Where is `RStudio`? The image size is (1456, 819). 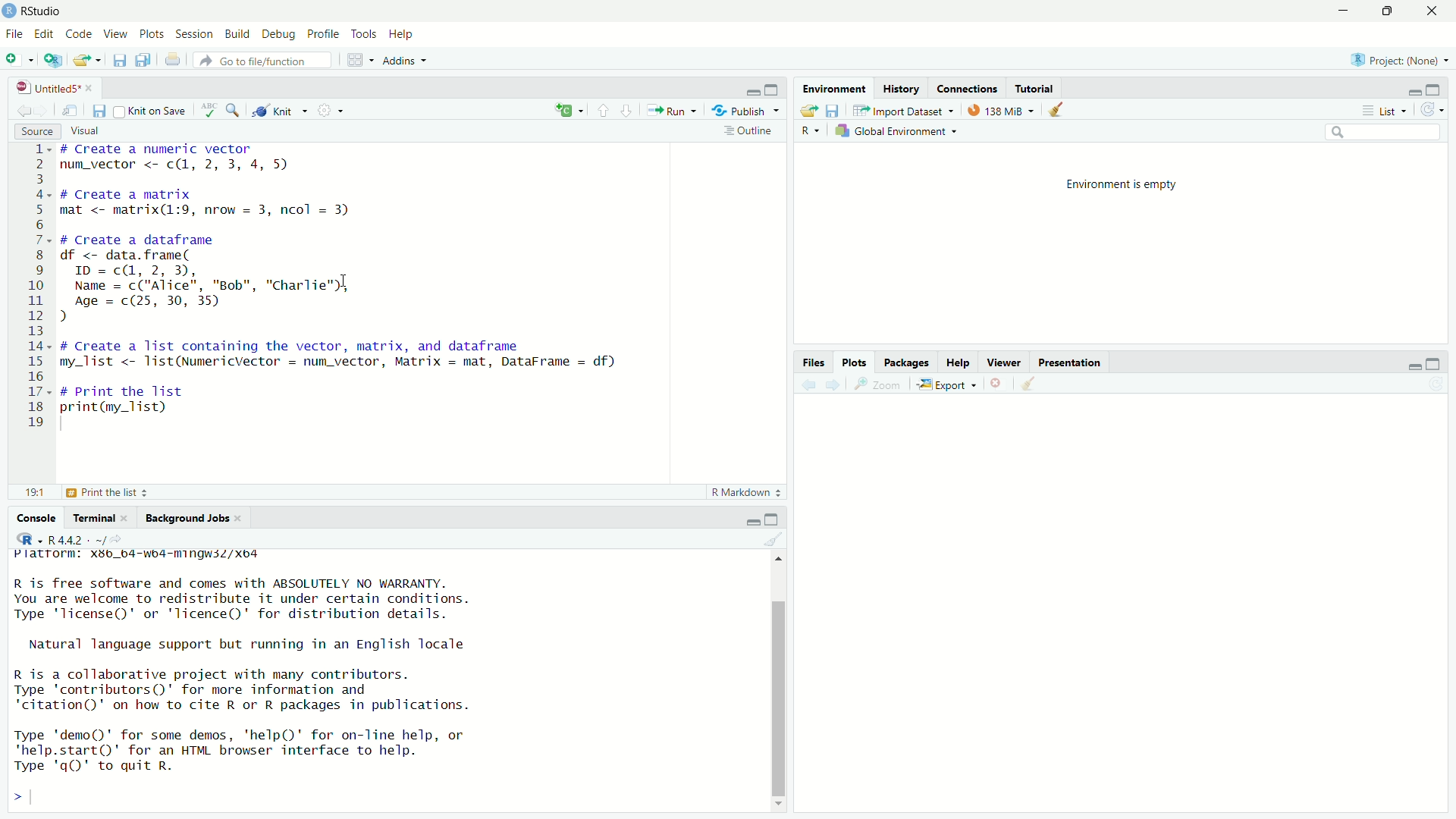 RStudio is located at coordinates (43, 11).